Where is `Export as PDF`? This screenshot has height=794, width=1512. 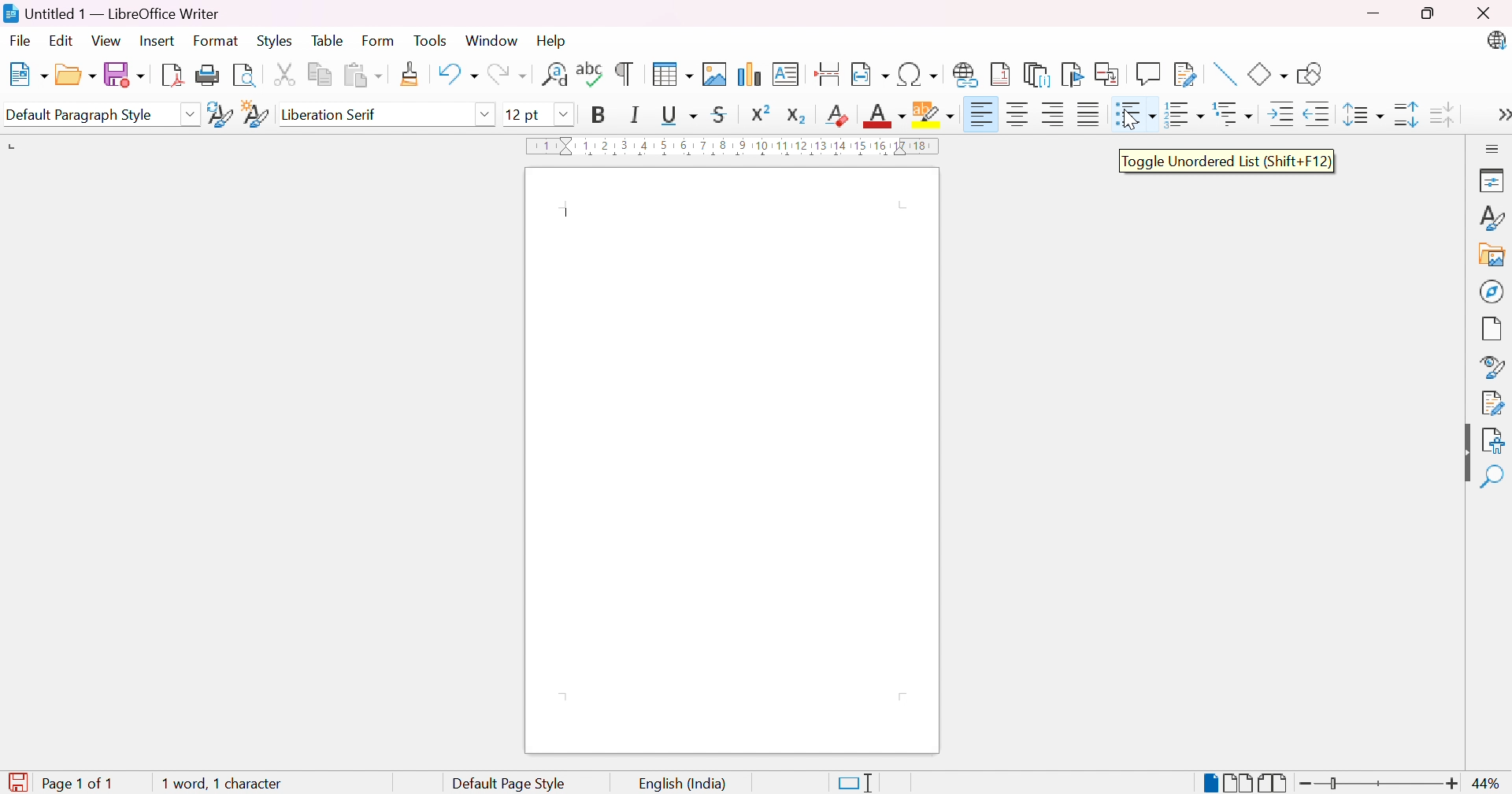
Export as PDF is located at coordinates (174, 74).